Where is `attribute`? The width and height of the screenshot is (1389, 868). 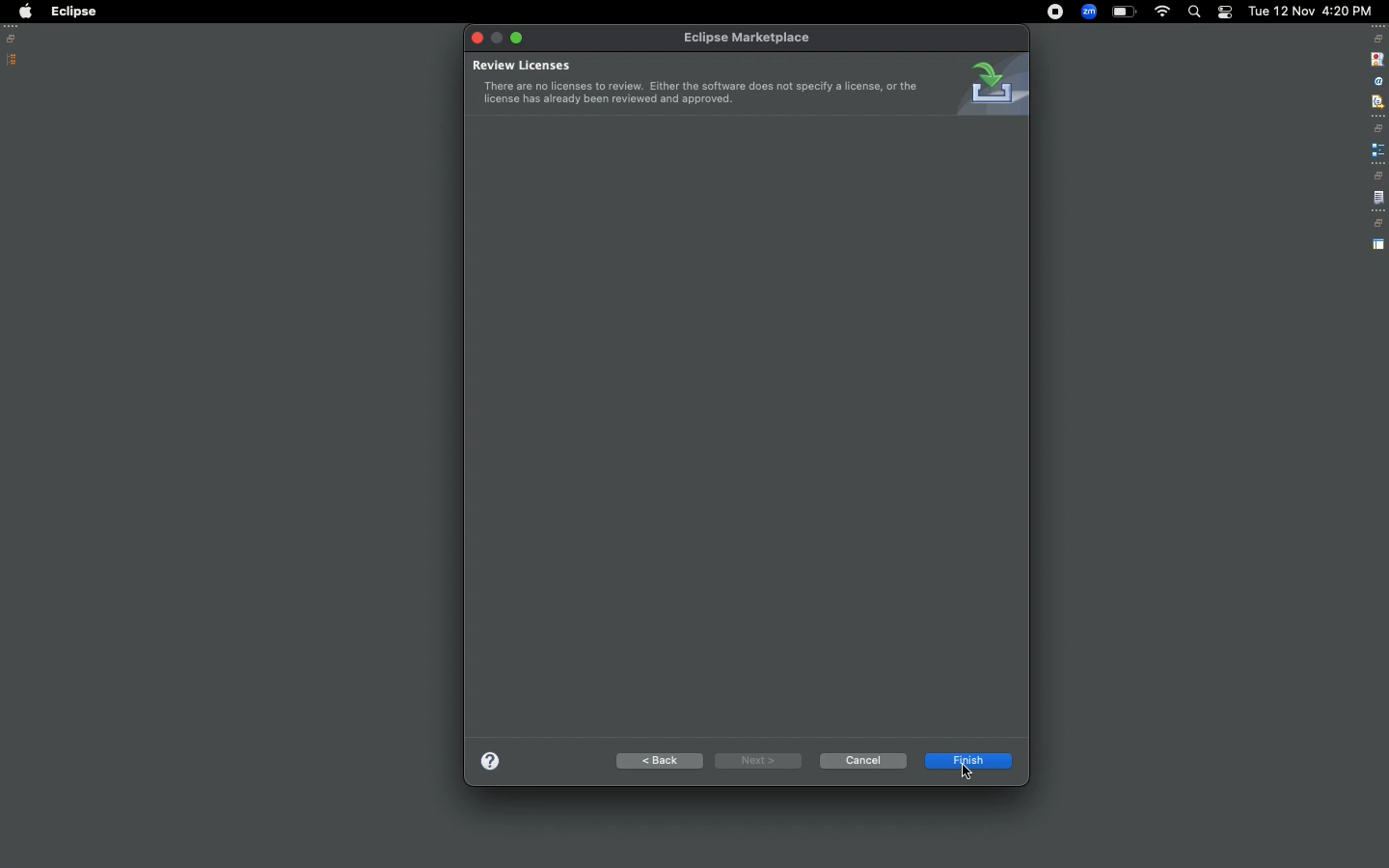 attribute is located at coordinates (1376, 82).